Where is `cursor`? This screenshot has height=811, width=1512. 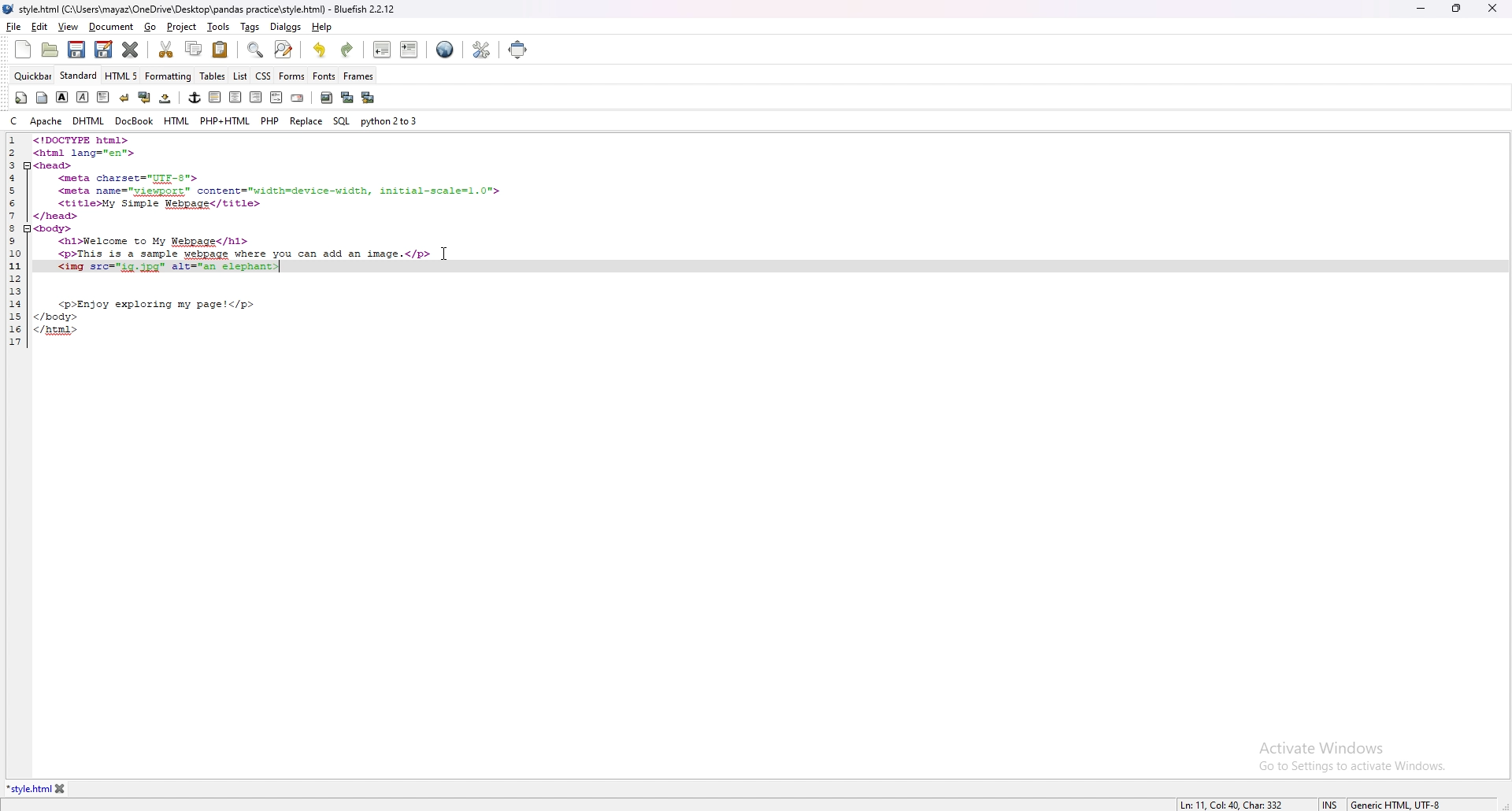
cursor is located at coordinates (449, 255).